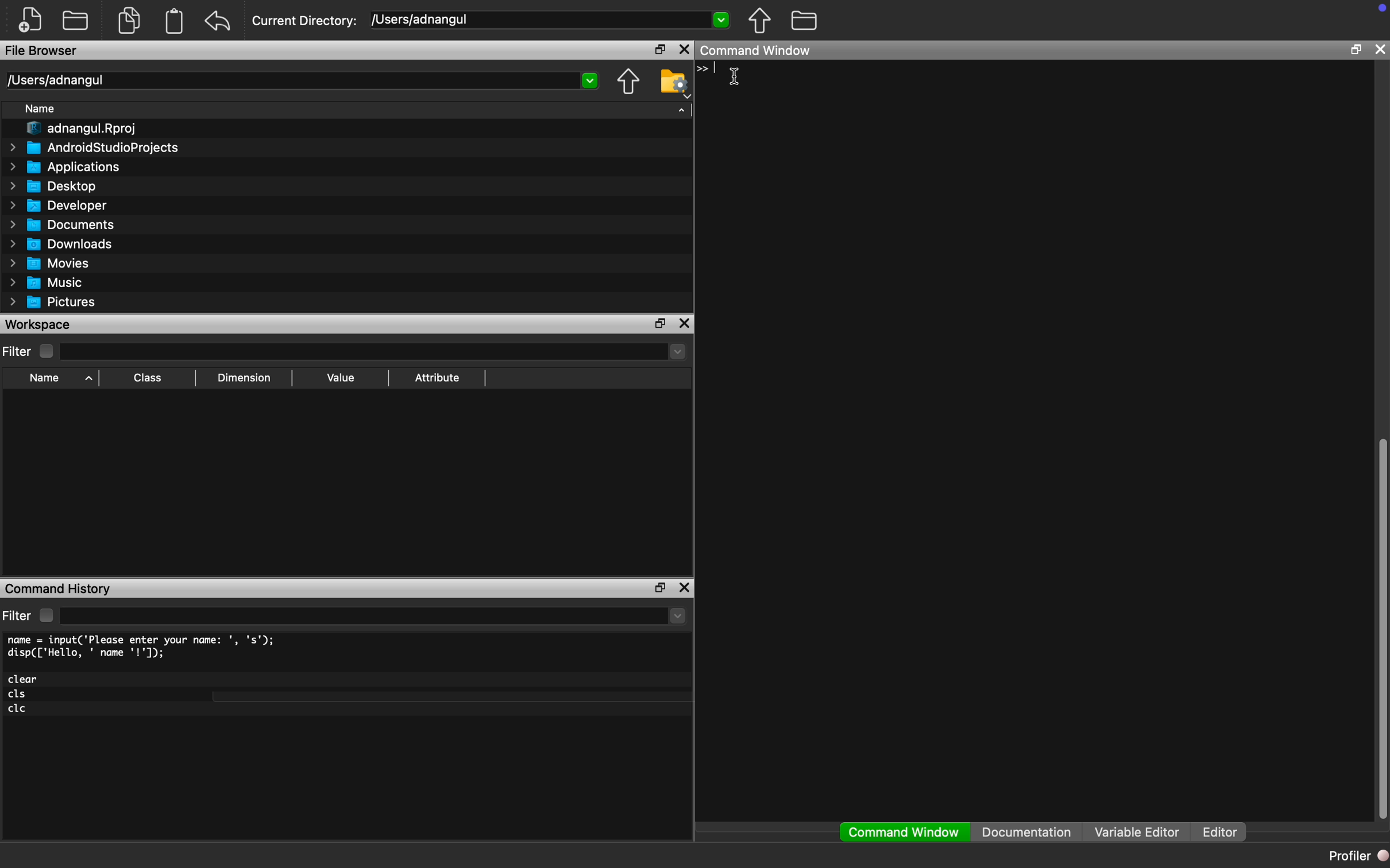 This screenshot has width=1390, height=868. I want to click on previous file, so click(760, 21).